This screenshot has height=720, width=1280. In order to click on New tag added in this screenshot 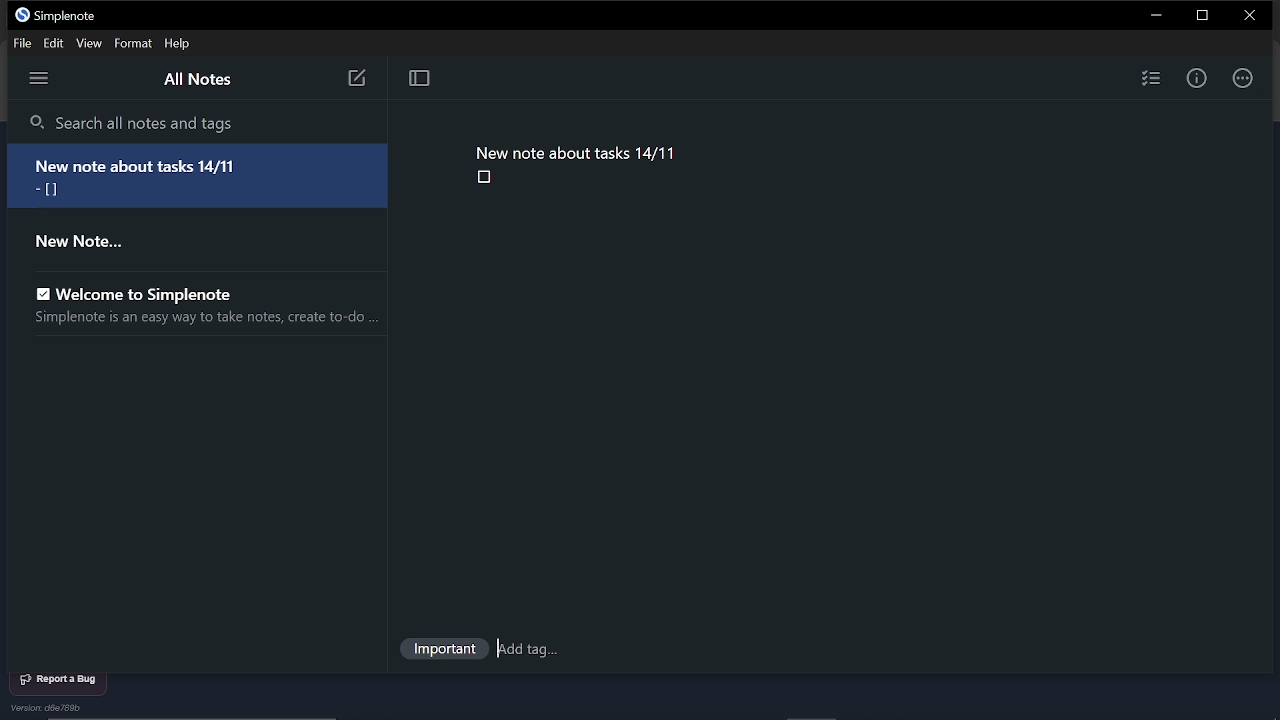, I will do `click(442, 651)`.